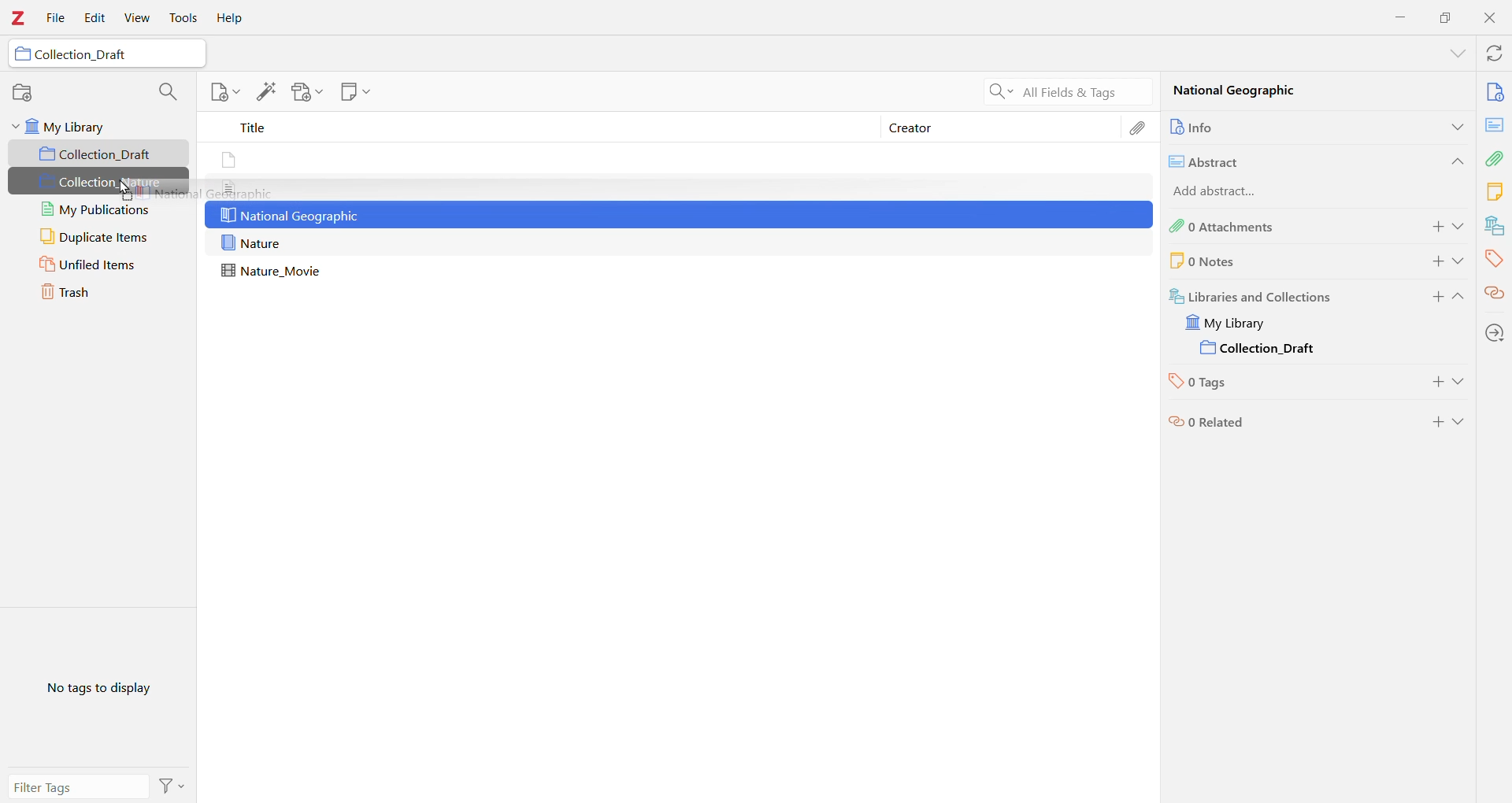 Image resolution: width=1512 pixels, height=803 pixels. I want to click on Sync with Zotero.org, so click(1492, 54).